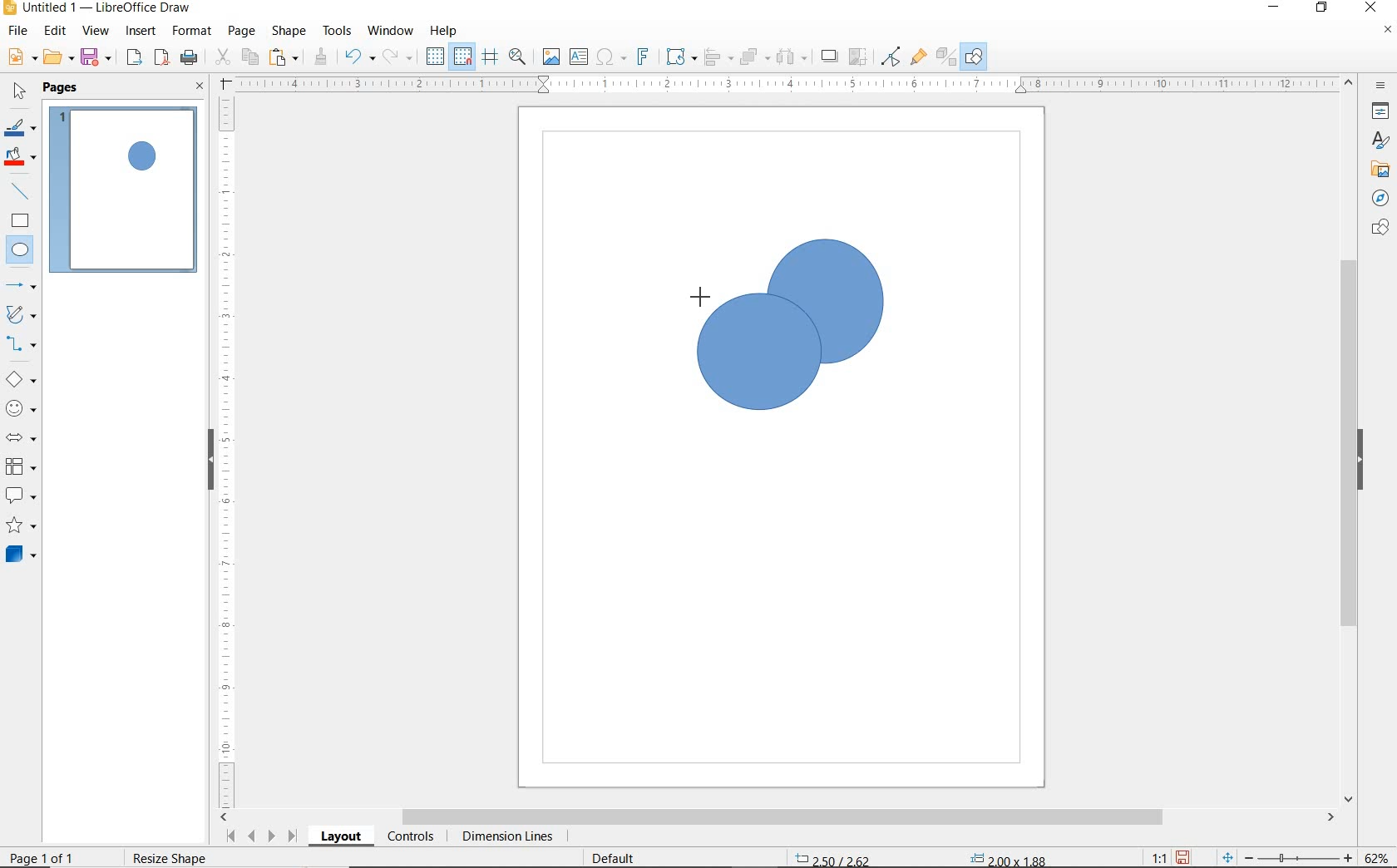 The image size is (1397, 868). What do you see at coordinates (1276, 8) in the screenshot?
I see `MINIMIZE` at bounding box center [1276, 8].